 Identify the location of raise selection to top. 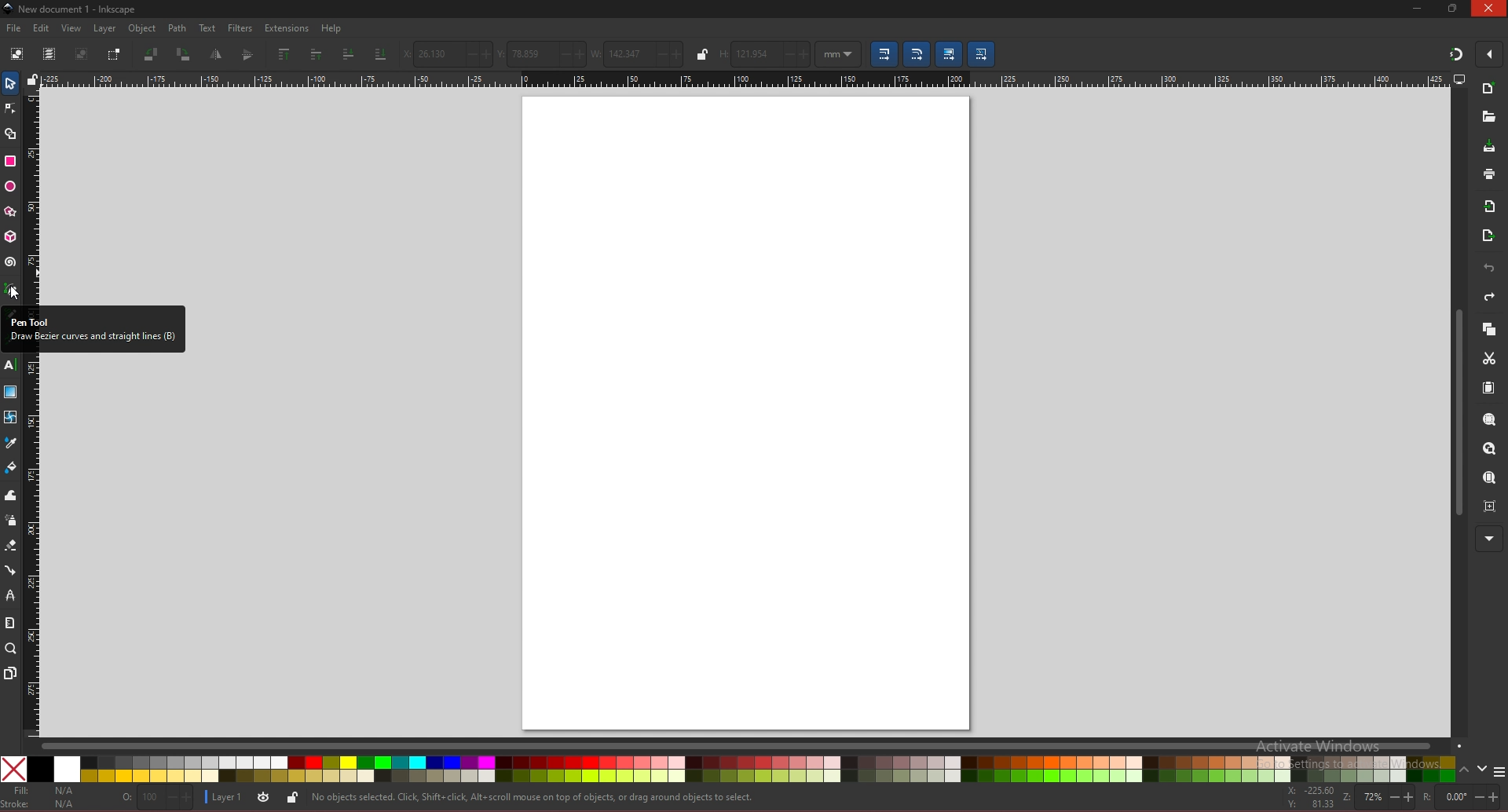
(286, 53).